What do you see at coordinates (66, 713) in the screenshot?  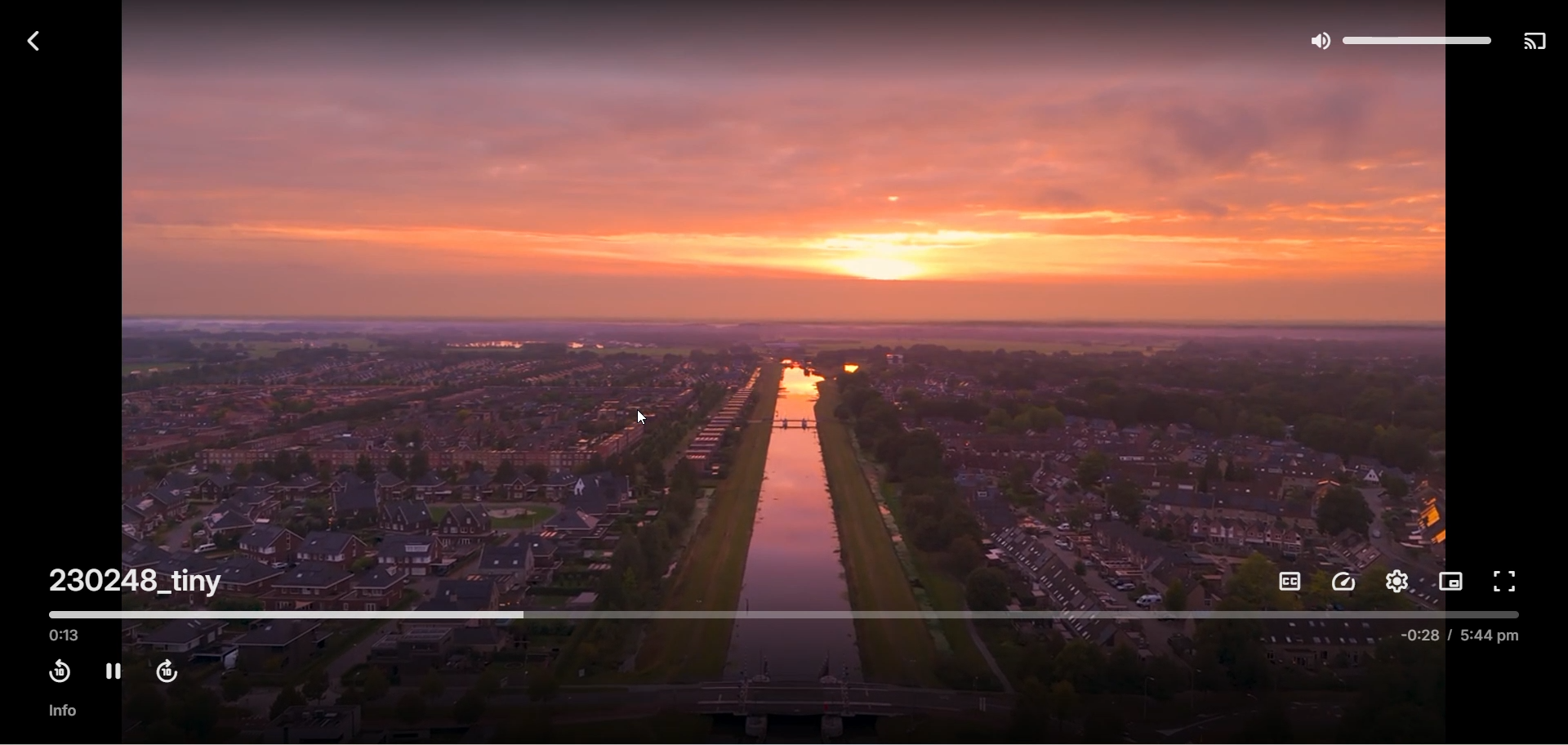 I see `info` at bounding box center [66, 713].